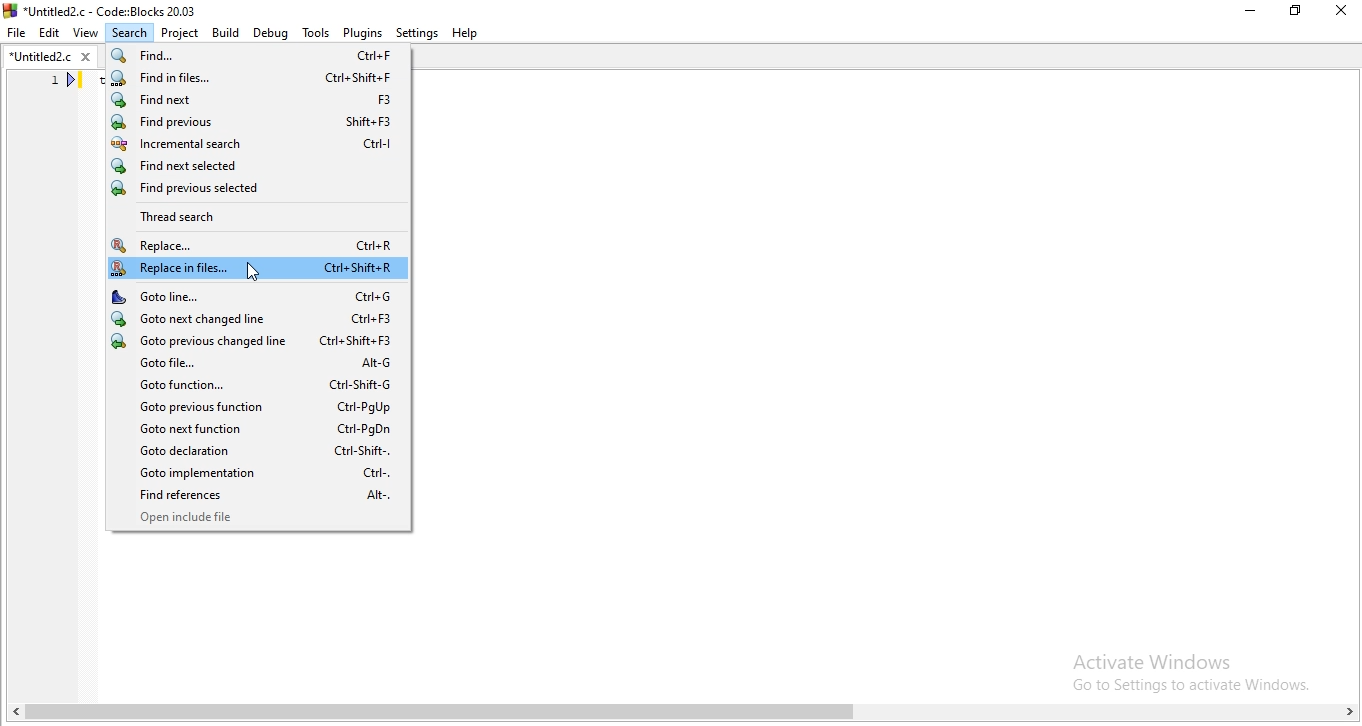  Describe the element at coordinates (256, 167) in the screenshot. I see `Find next ` at that location.